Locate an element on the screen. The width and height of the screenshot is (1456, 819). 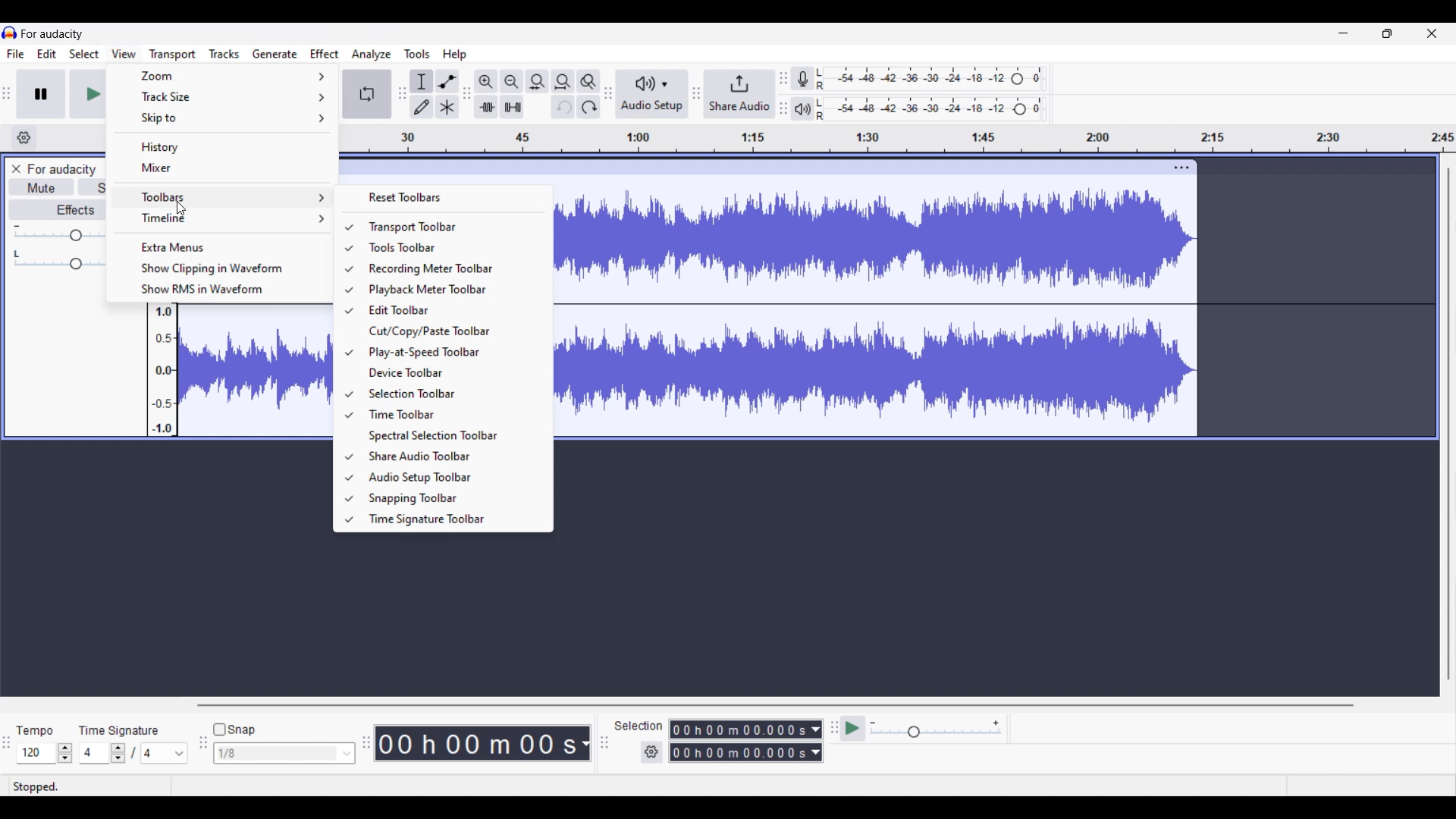
track waveform is located at coordinates (877, 308).